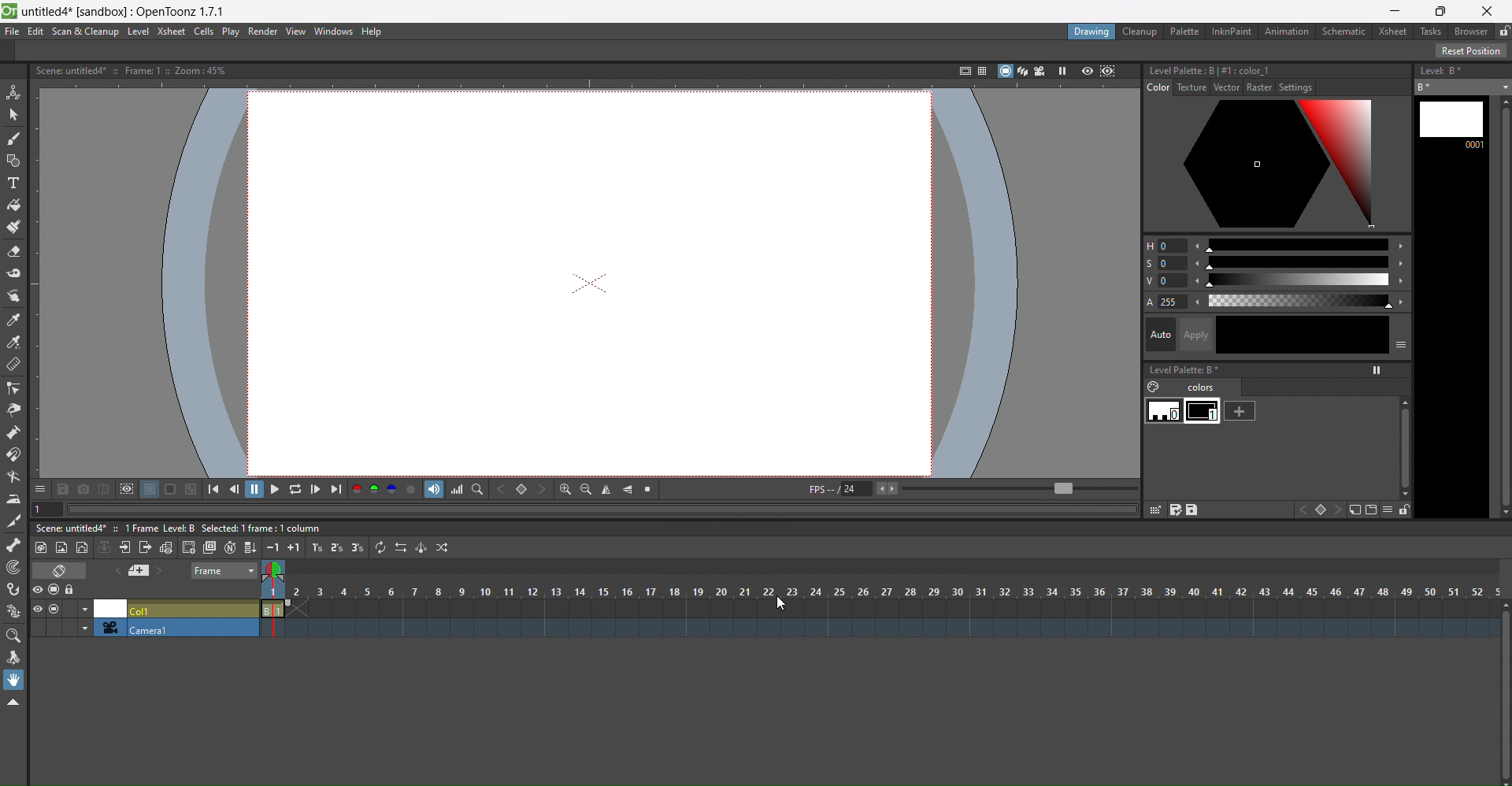  I want to click on magnet tool, so click(14, 454).